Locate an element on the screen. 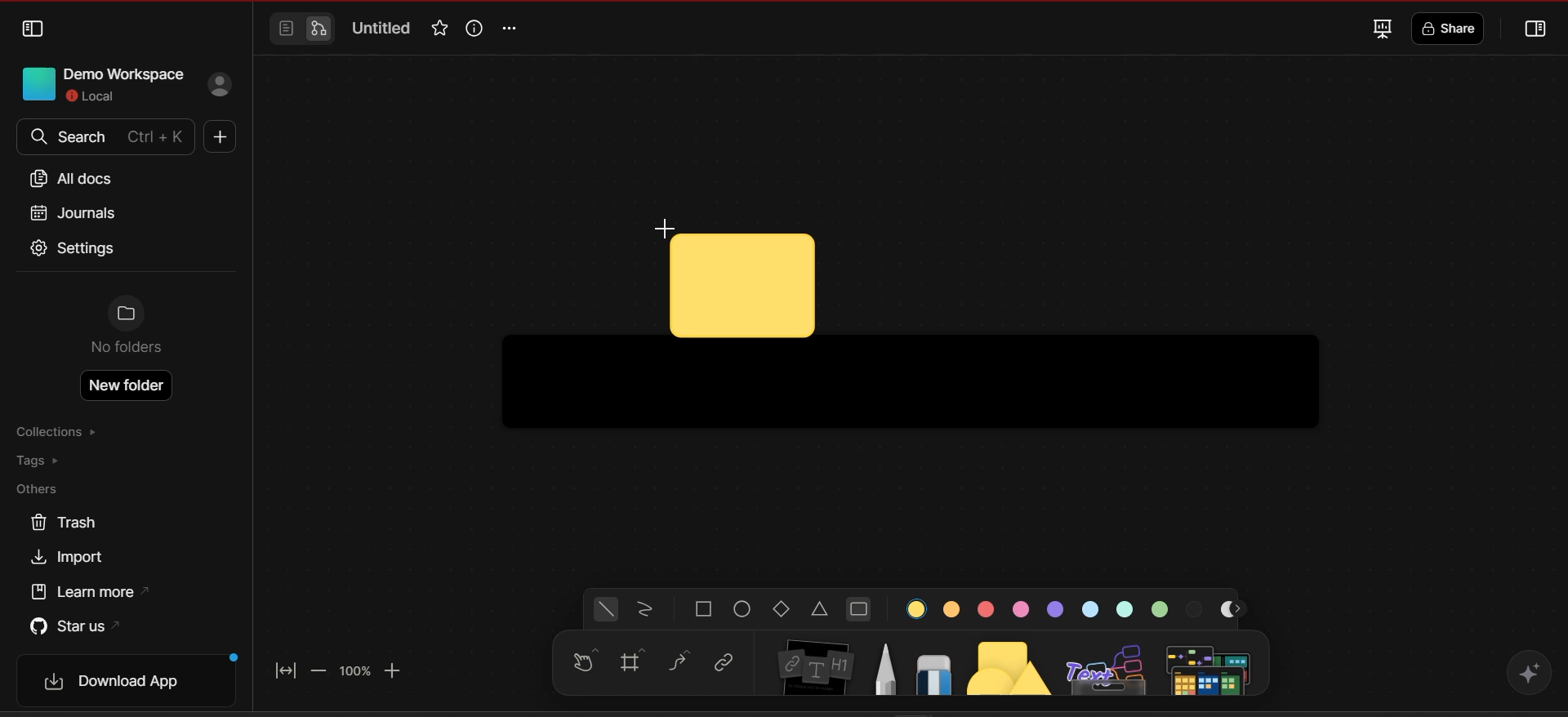 The image size is (1568, 717). color 9 is located at coordinates (1196, 608).